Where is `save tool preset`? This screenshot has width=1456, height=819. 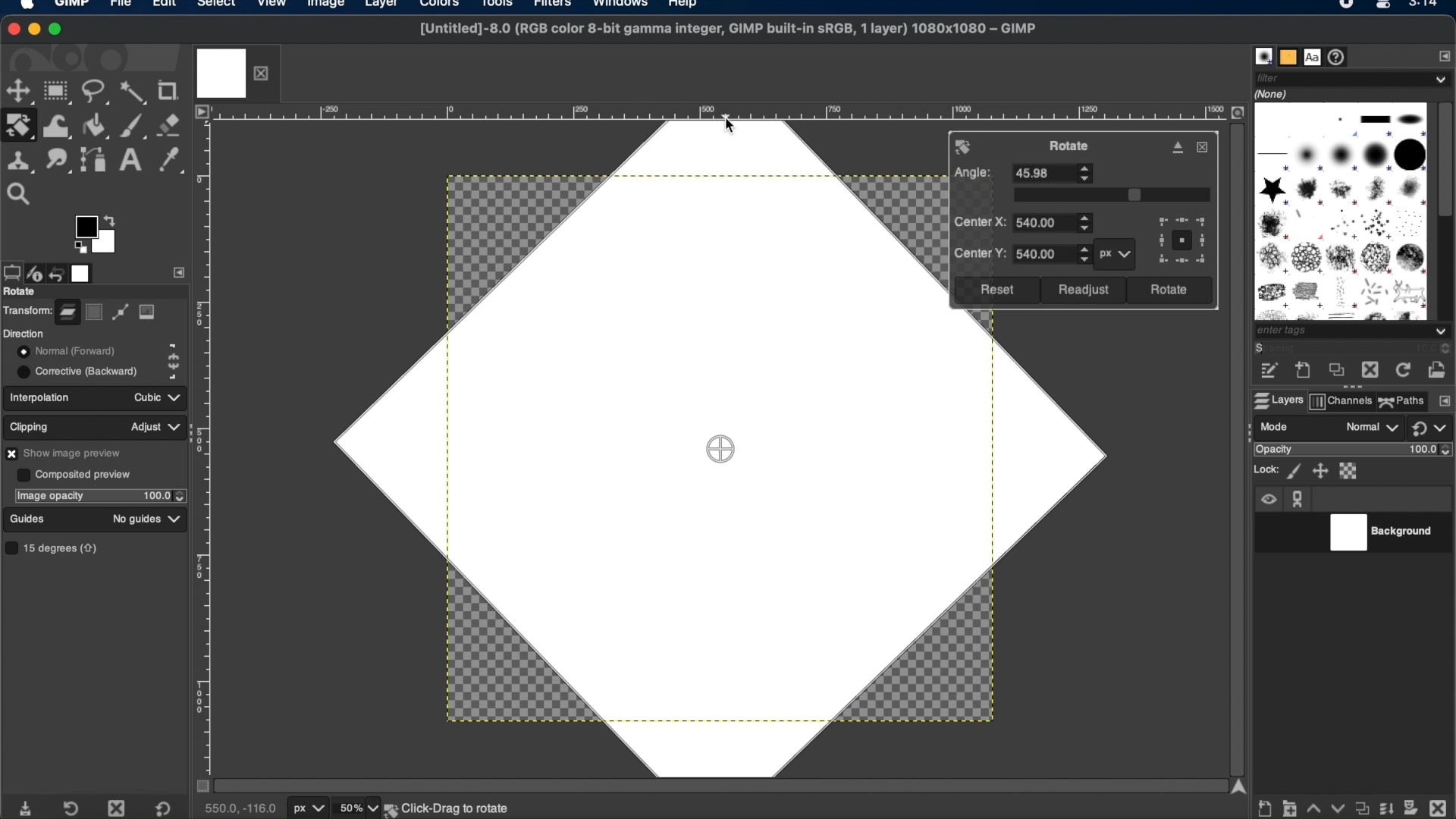
save tool preset is located at coordinates (28, 807).